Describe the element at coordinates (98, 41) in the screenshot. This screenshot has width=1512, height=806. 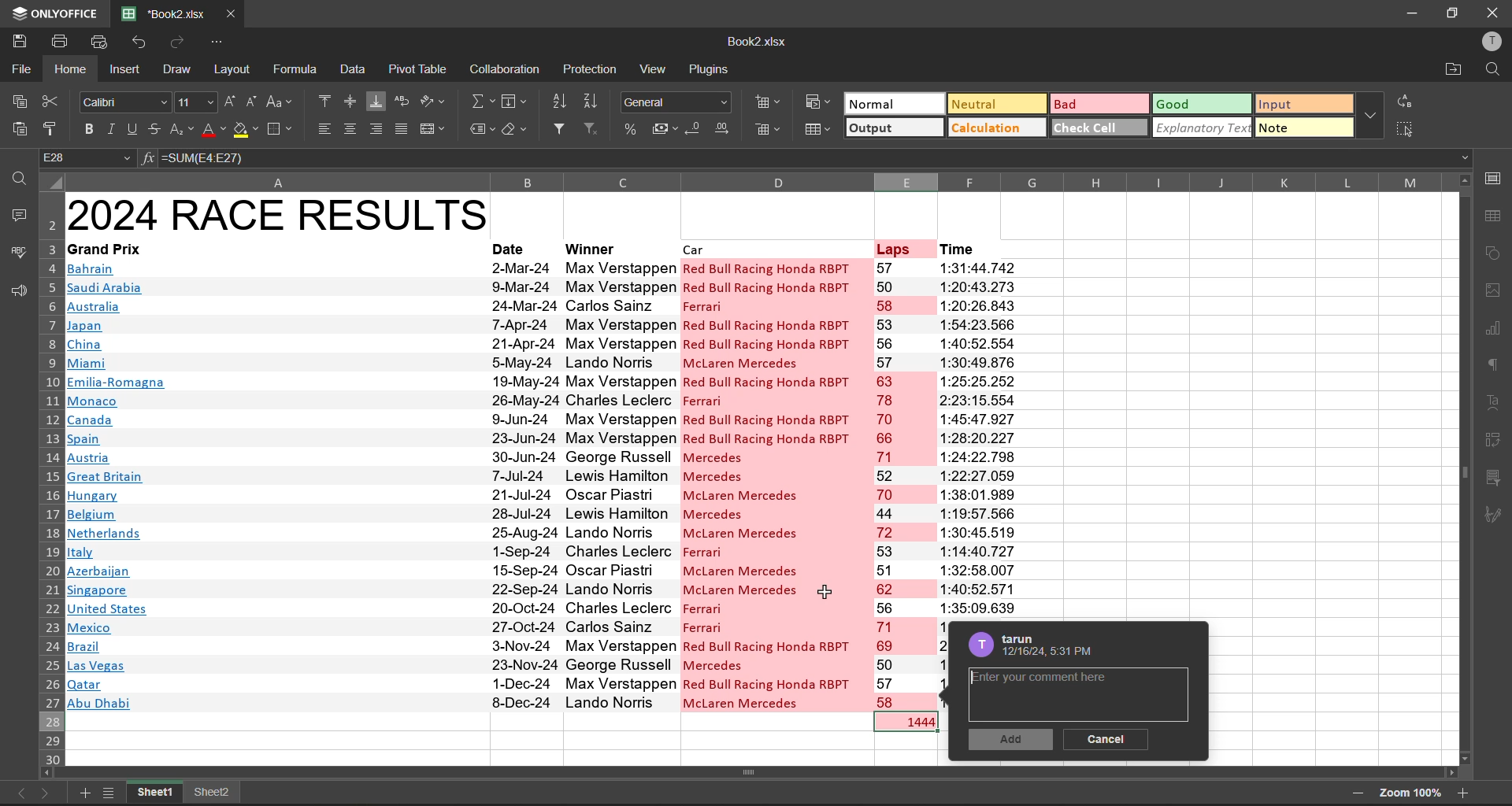
I see `quick print` at that location.